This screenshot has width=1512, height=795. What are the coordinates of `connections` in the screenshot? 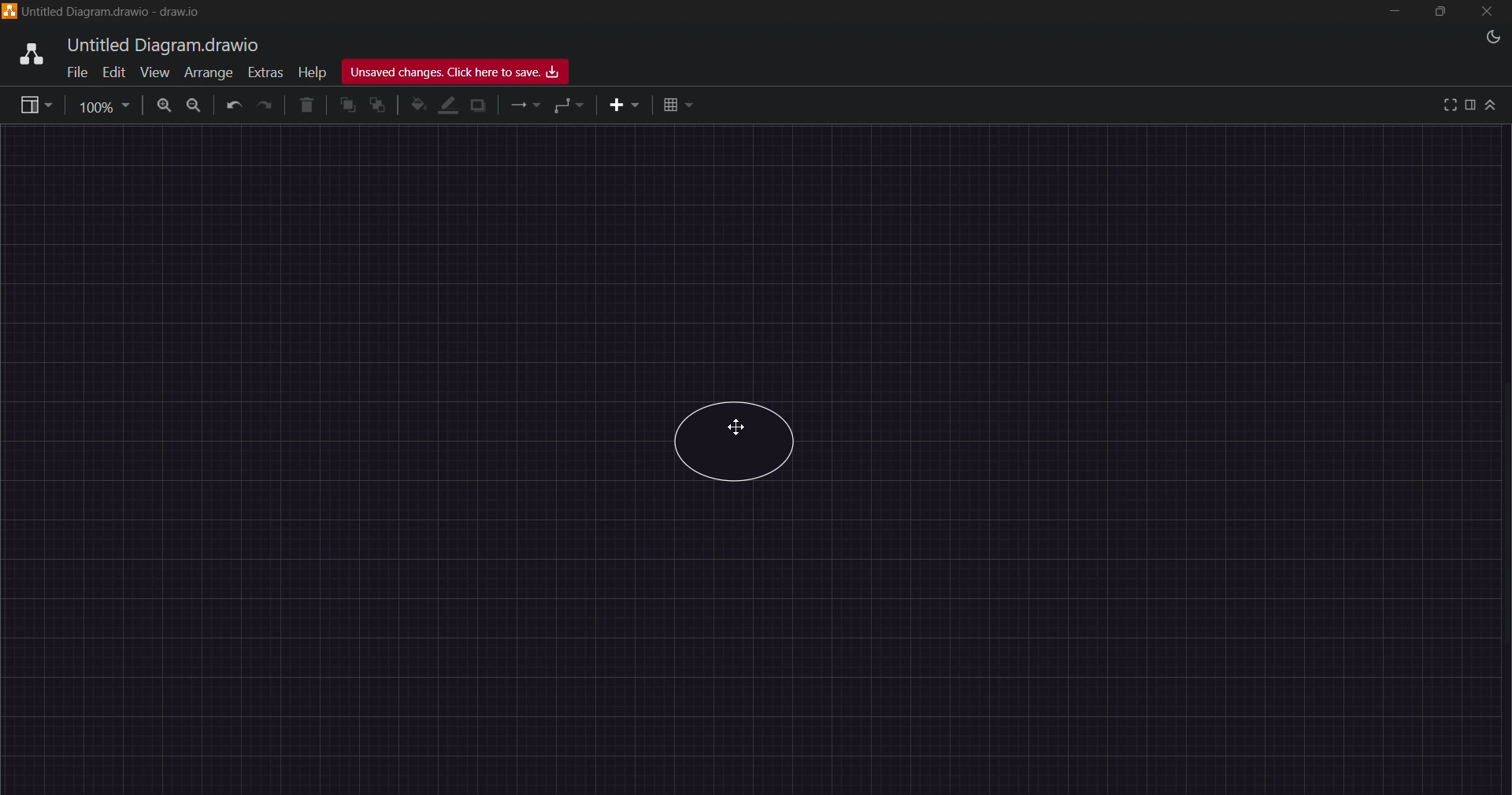 It's located at (526, 106).